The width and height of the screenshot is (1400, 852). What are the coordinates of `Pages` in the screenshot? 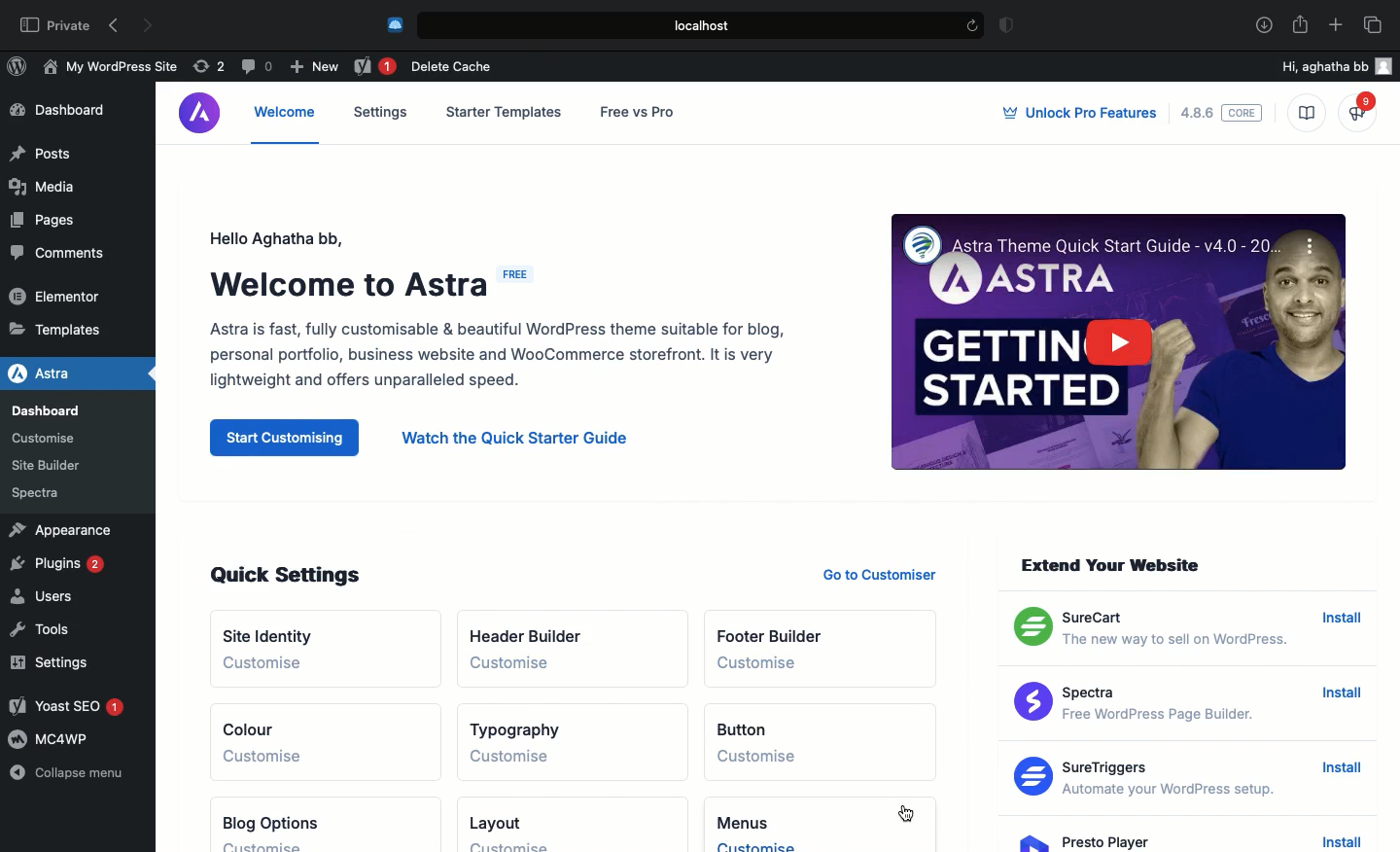 It's located at (39, 224).